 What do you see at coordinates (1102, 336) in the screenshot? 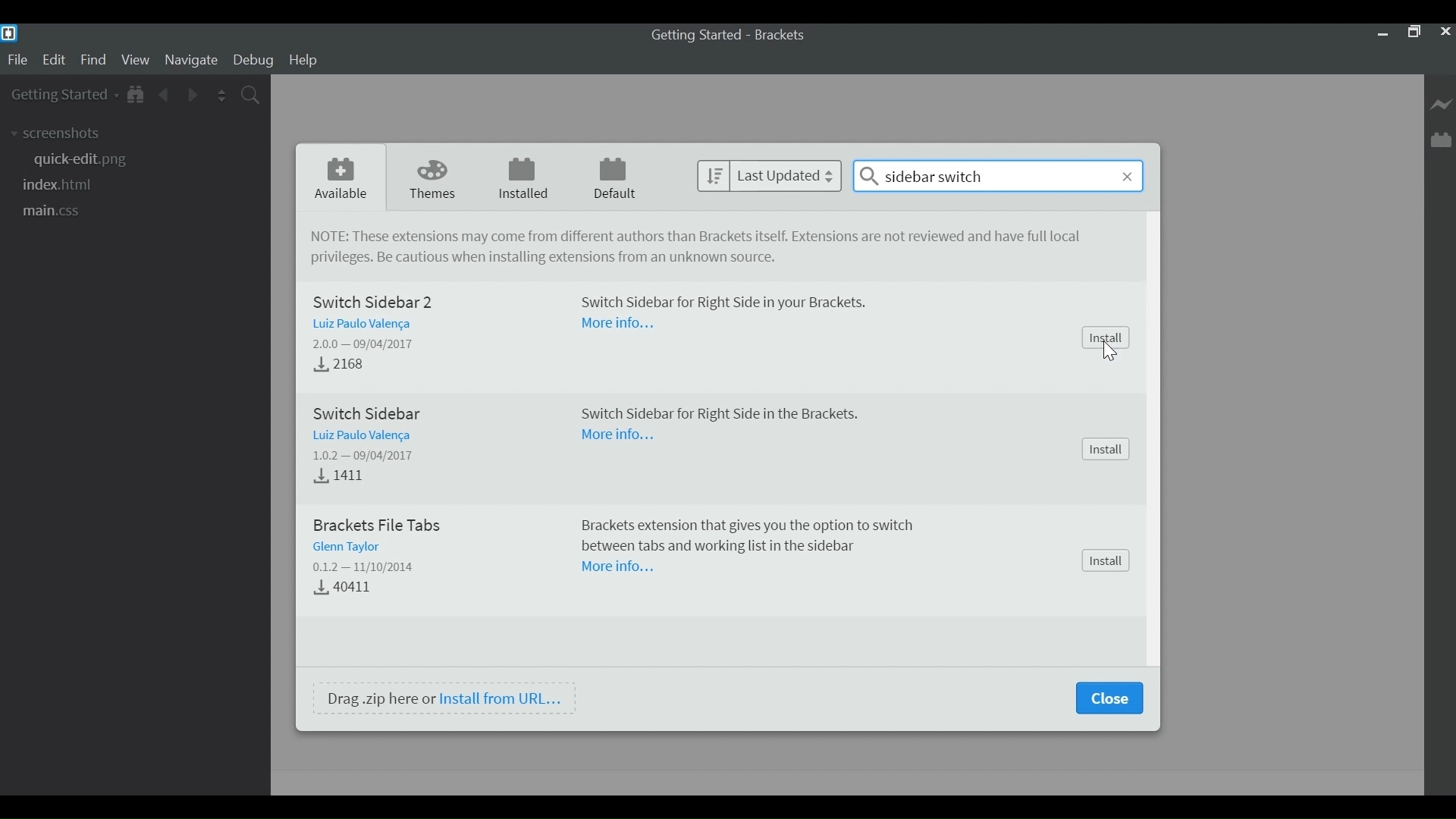
I see `install` at bounding box center [1102, 336].